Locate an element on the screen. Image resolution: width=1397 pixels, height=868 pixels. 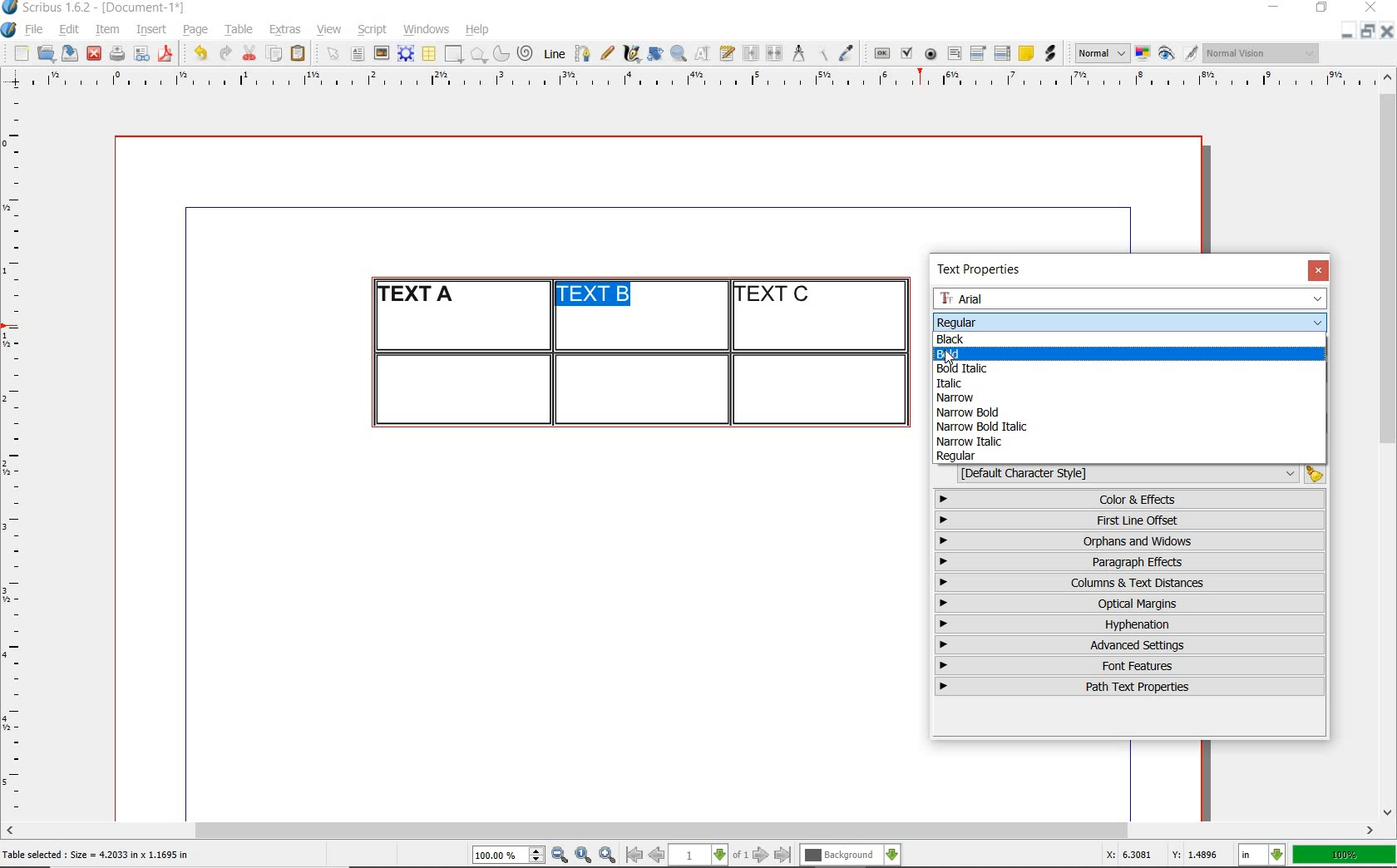
unlink text frames is located at coordinates (774, 54).